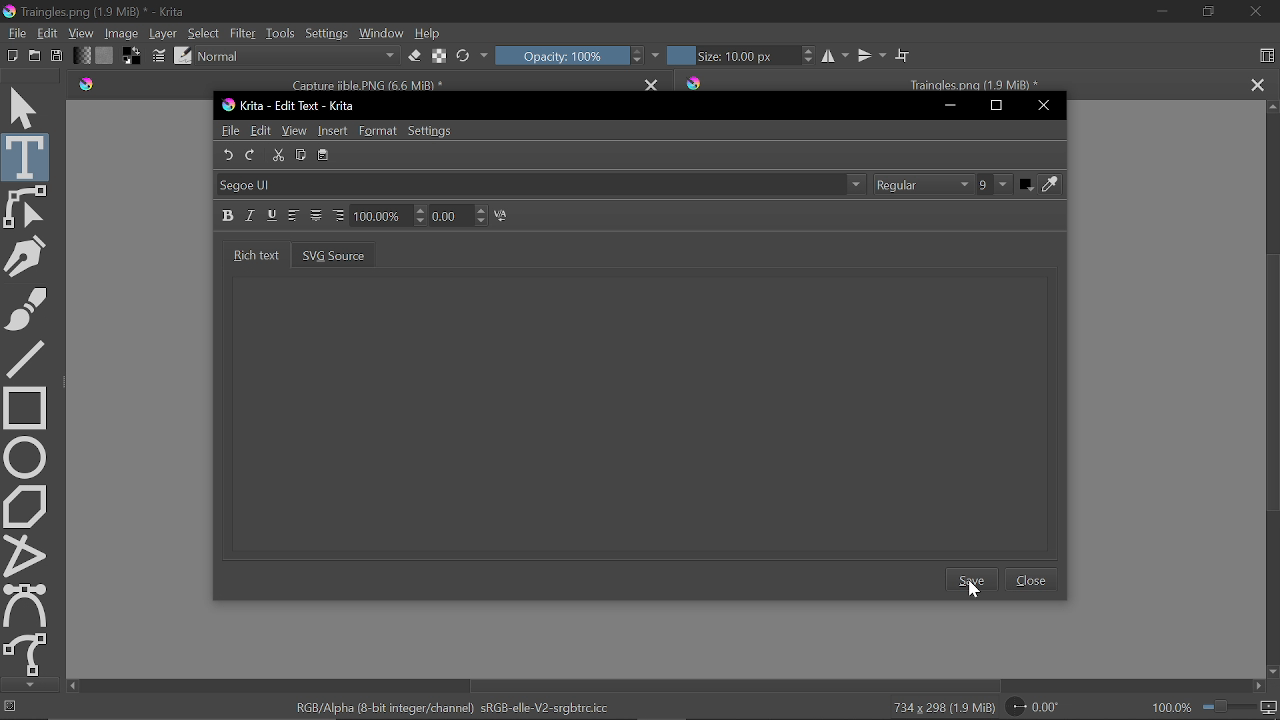 The image size is (1280, 720). Describe the element at coordinates (10, 54) in the screenshot. I see `New document` at that location.